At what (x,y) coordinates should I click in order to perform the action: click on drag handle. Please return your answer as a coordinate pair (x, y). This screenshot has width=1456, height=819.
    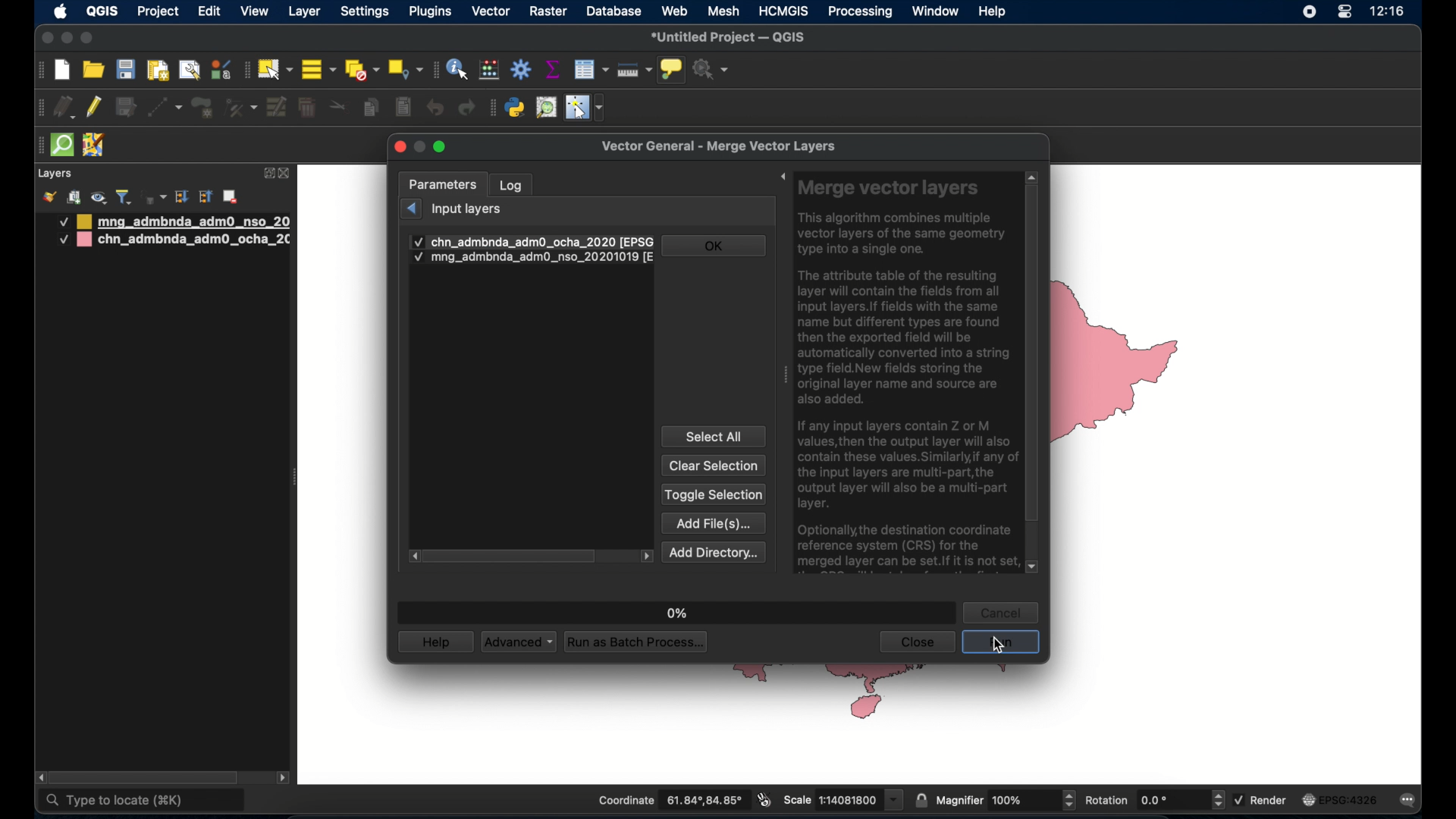
    Looking at the image, I should click on (36, 146).